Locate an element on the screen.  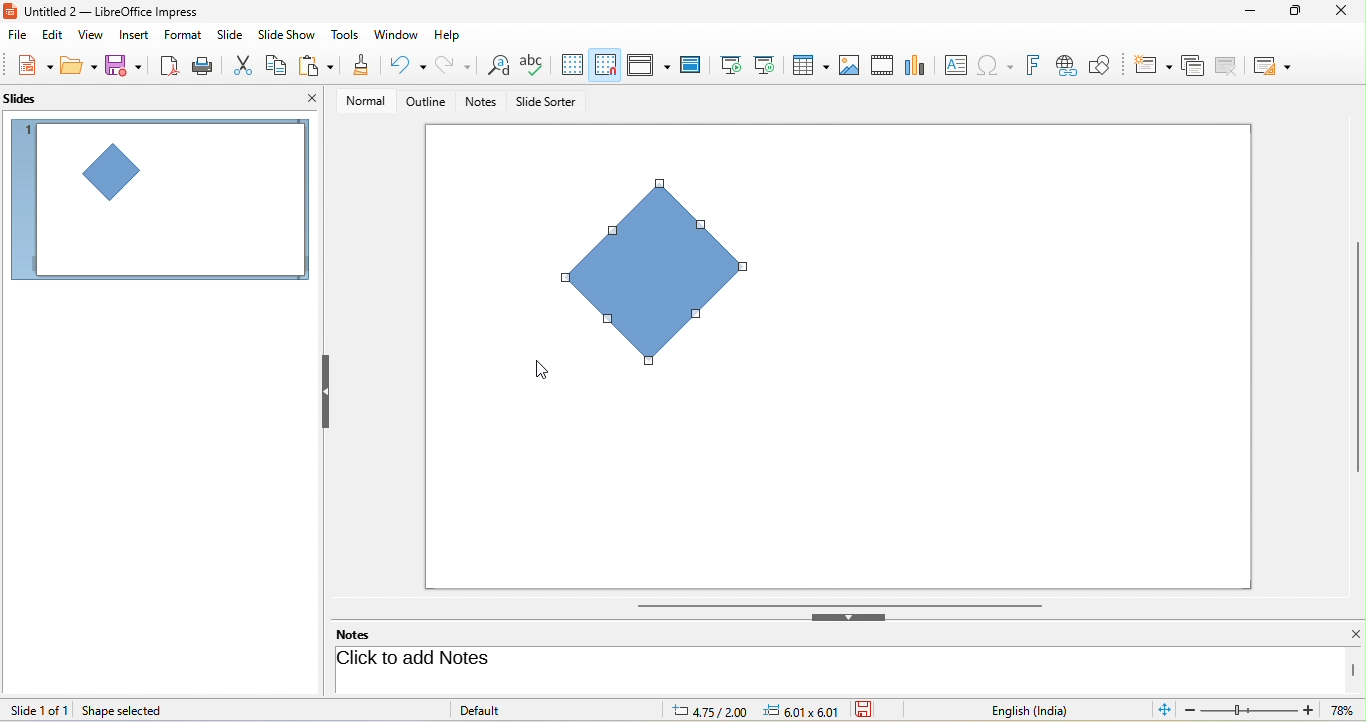
image is located at coordinates (850, 64).